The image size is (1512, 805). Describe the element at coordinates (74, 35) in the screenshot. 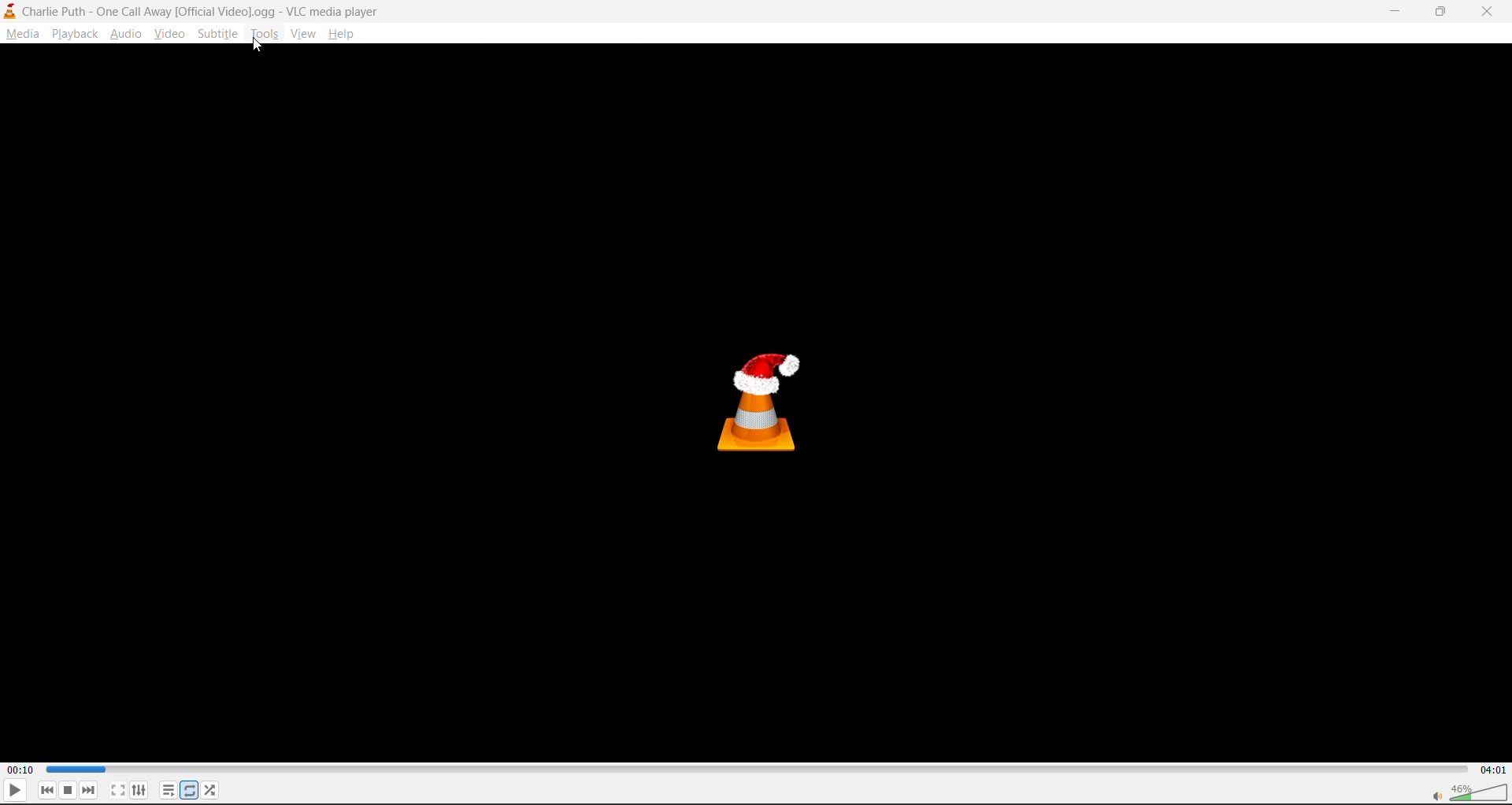

I see `playback` at that location.